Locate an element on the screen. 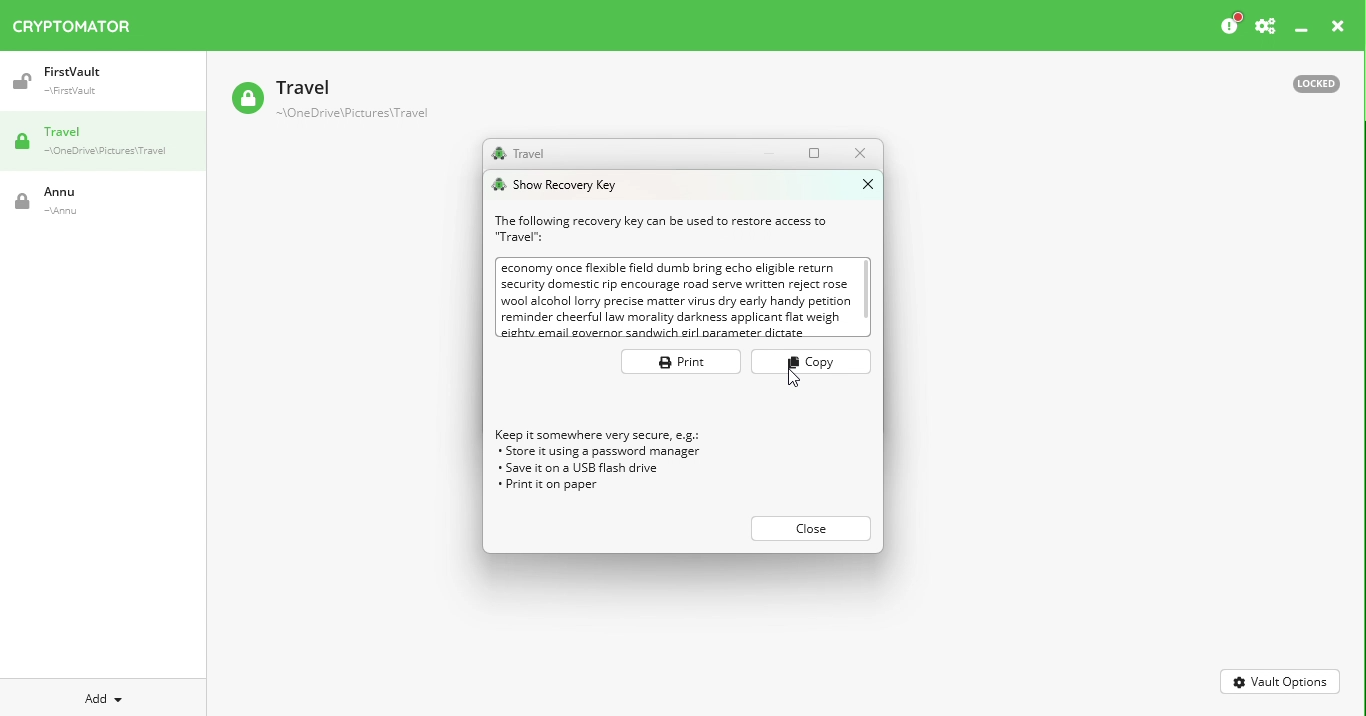 Image resolution: width=1366 pixels, height=716 pixels. Maximize is located at coordinates (818, 152).